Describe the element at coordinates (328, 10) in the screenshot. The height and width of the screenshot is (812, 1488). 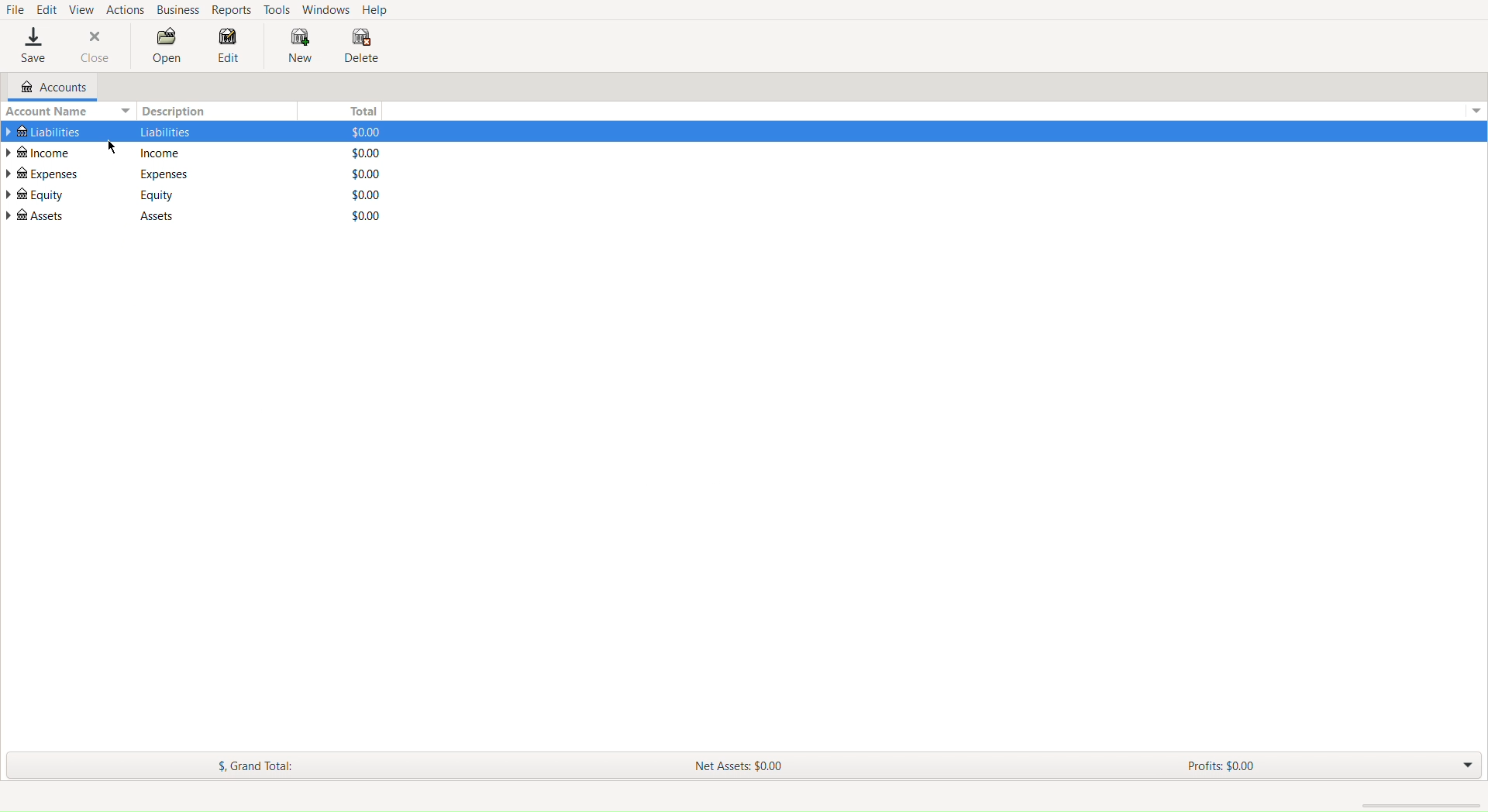
I see `Windows` at that location.